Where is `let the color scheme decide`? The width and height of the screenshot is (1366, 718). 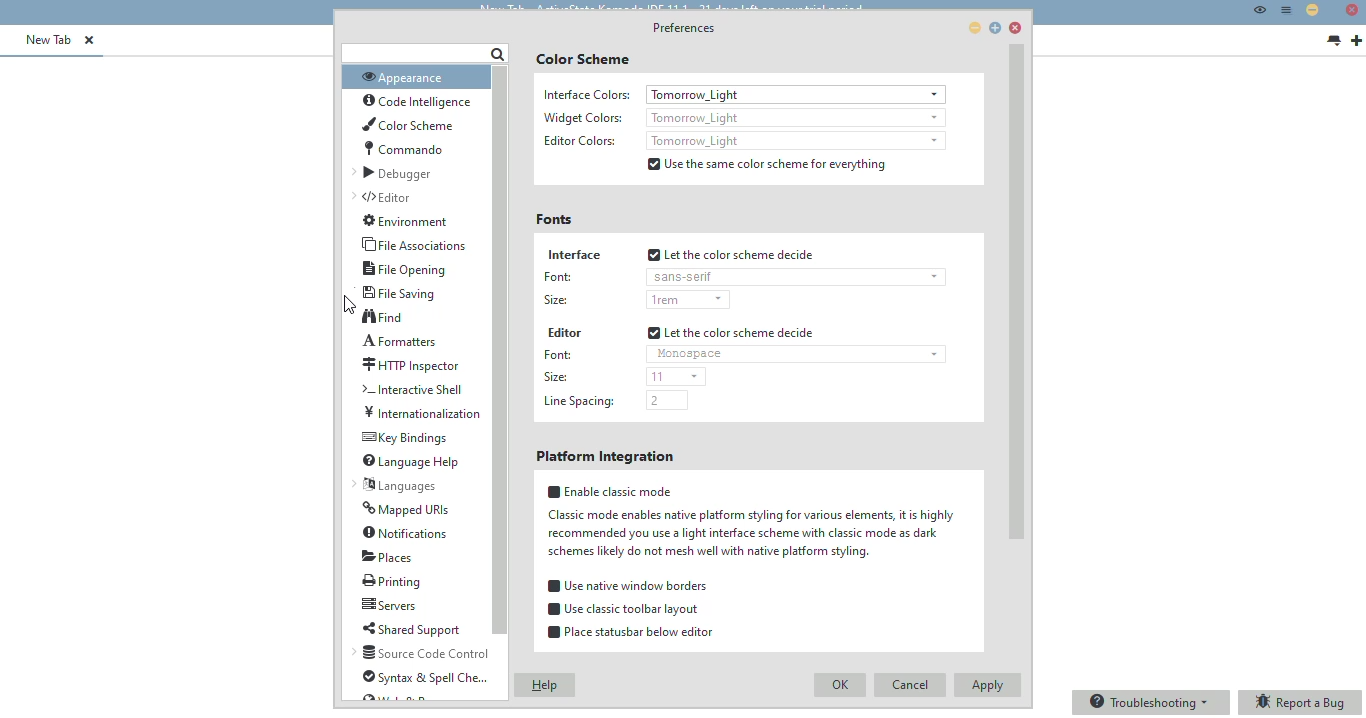
let the color scheme decide is located at coordinates (730, 332).